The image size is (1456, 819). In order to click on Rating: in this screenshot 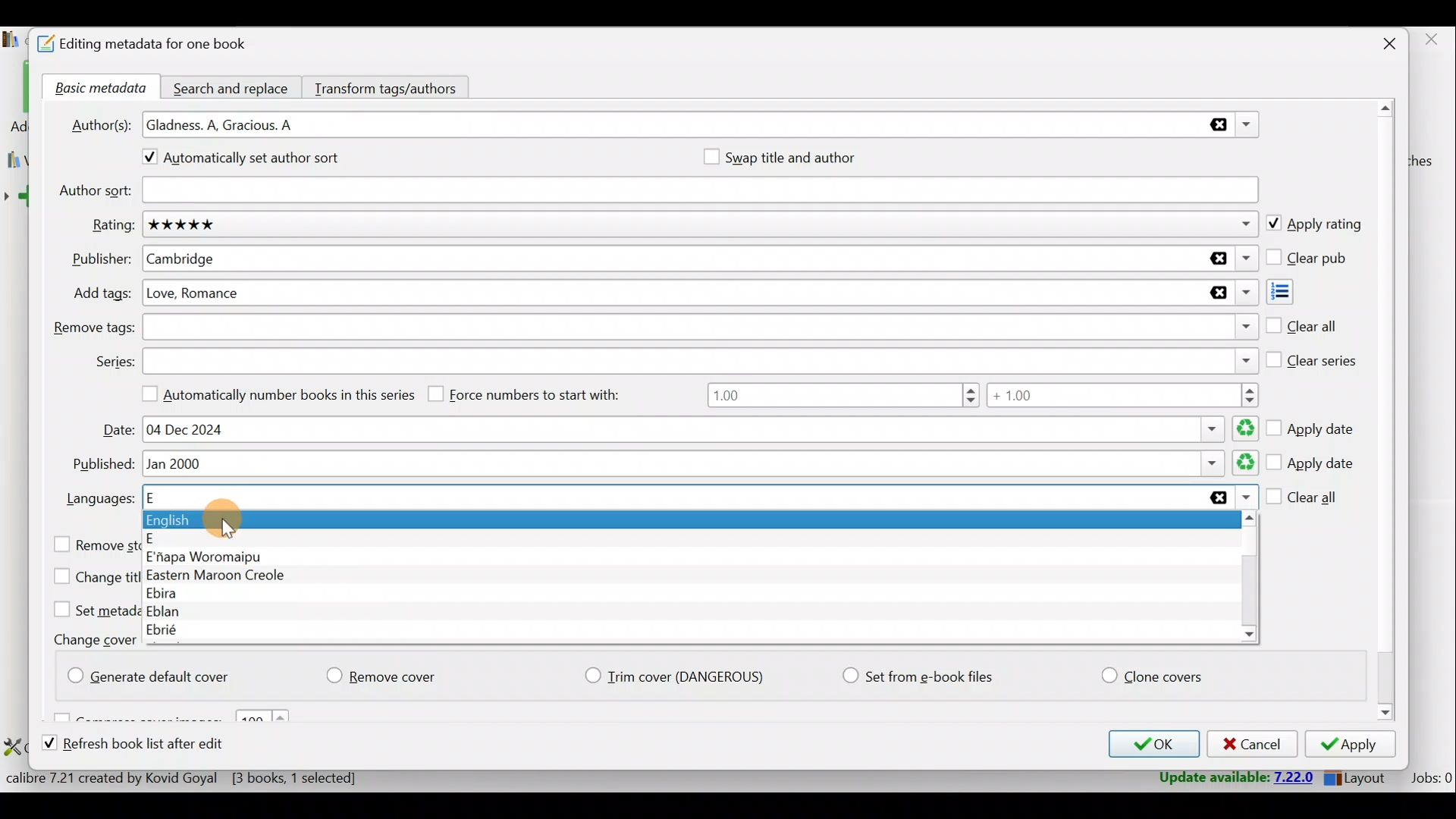, I will do `click(112, 225)`.